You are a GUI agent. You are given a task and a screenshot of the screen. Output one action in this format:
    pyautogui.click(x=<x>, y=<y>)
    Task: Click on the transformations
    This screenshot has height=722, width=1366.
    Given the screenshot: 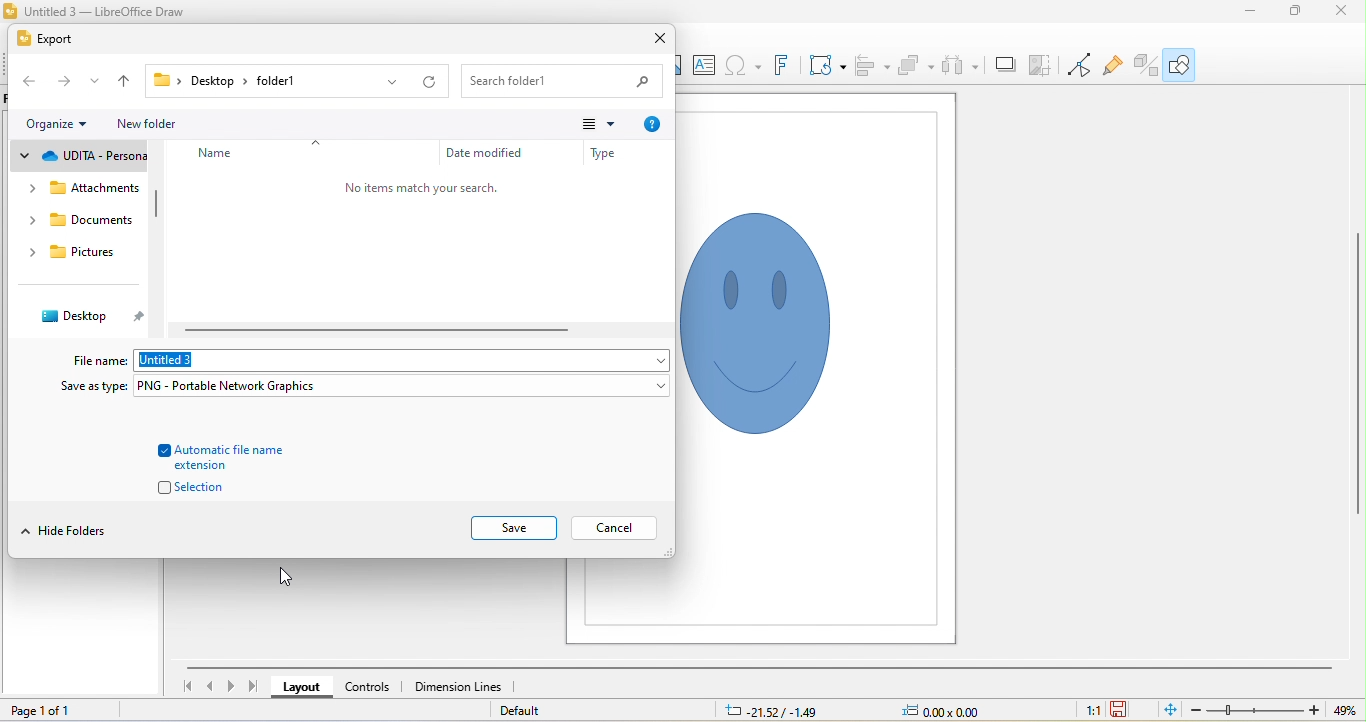 What is the action you would take?
    pyautogui.click(x=827, y=67)
    